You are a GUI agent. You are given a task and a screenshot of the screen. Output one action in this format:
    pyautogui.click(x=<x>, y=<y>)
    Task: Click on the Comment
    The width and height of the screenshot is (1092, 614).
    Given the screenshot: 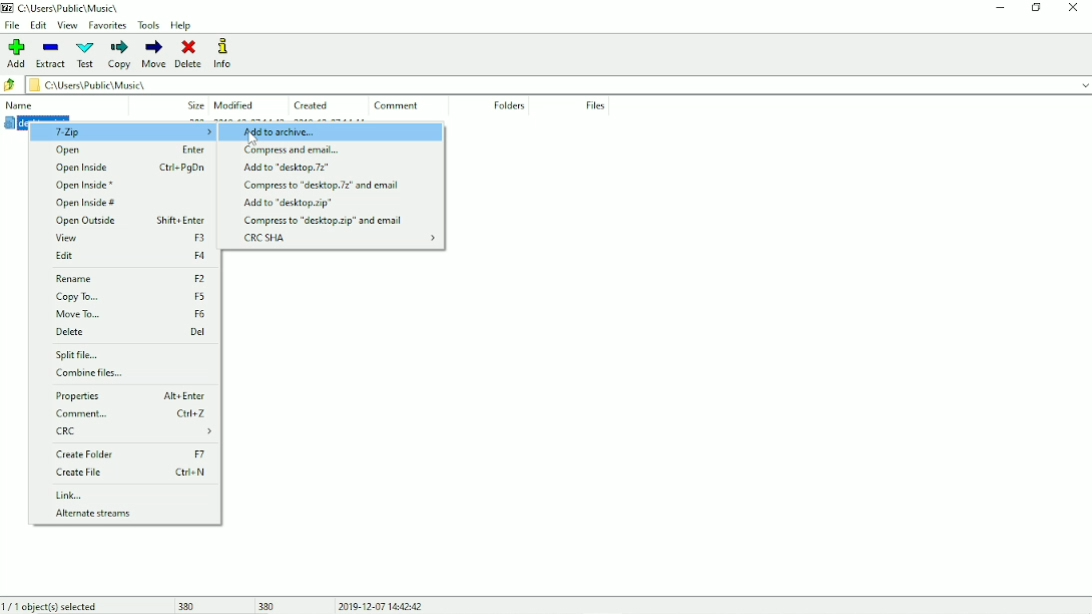 What is the action you would take?
    pyautogui.click(x=130, y=413)
    